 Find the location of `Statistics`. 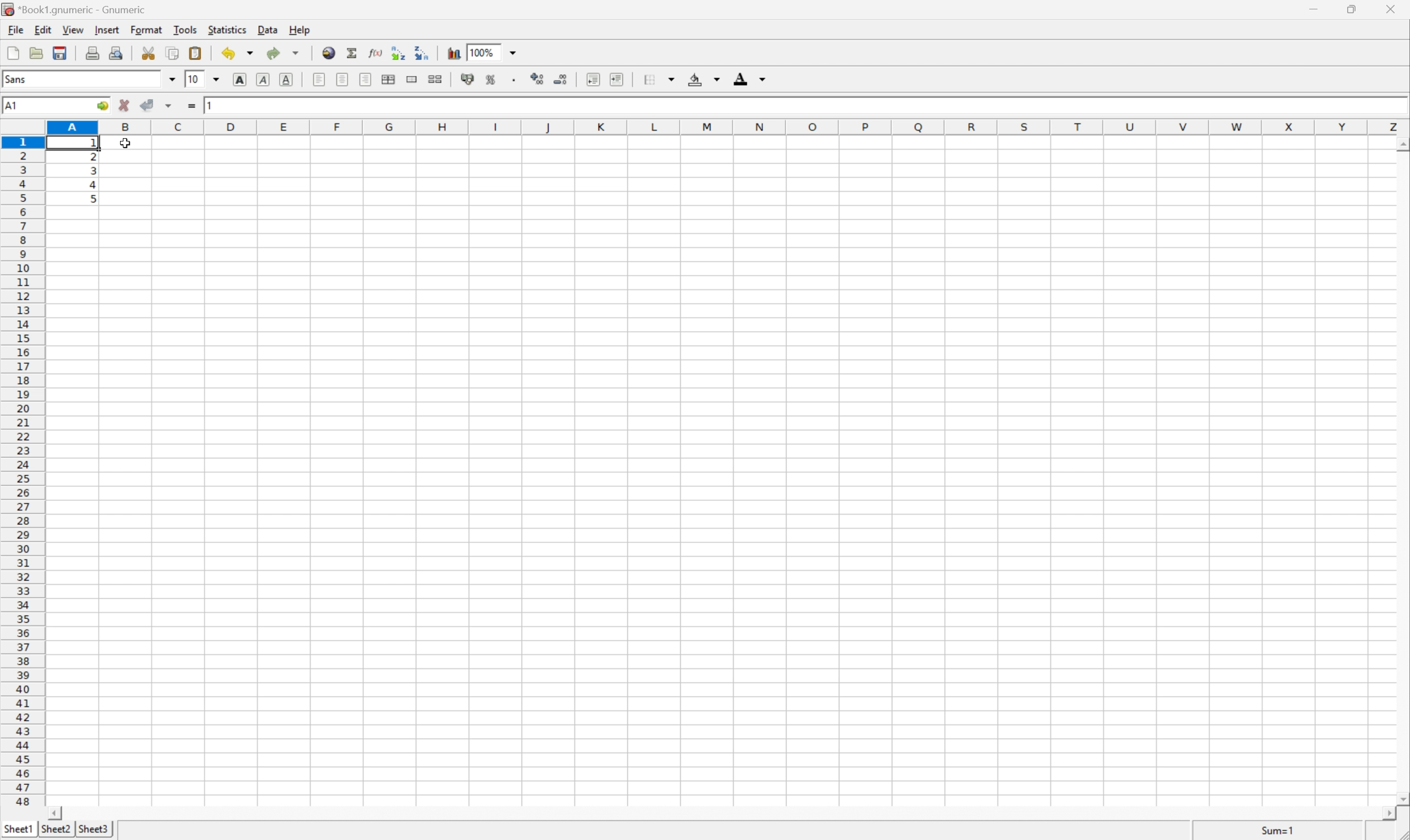

Statistics is located at coordinates (227, 29).